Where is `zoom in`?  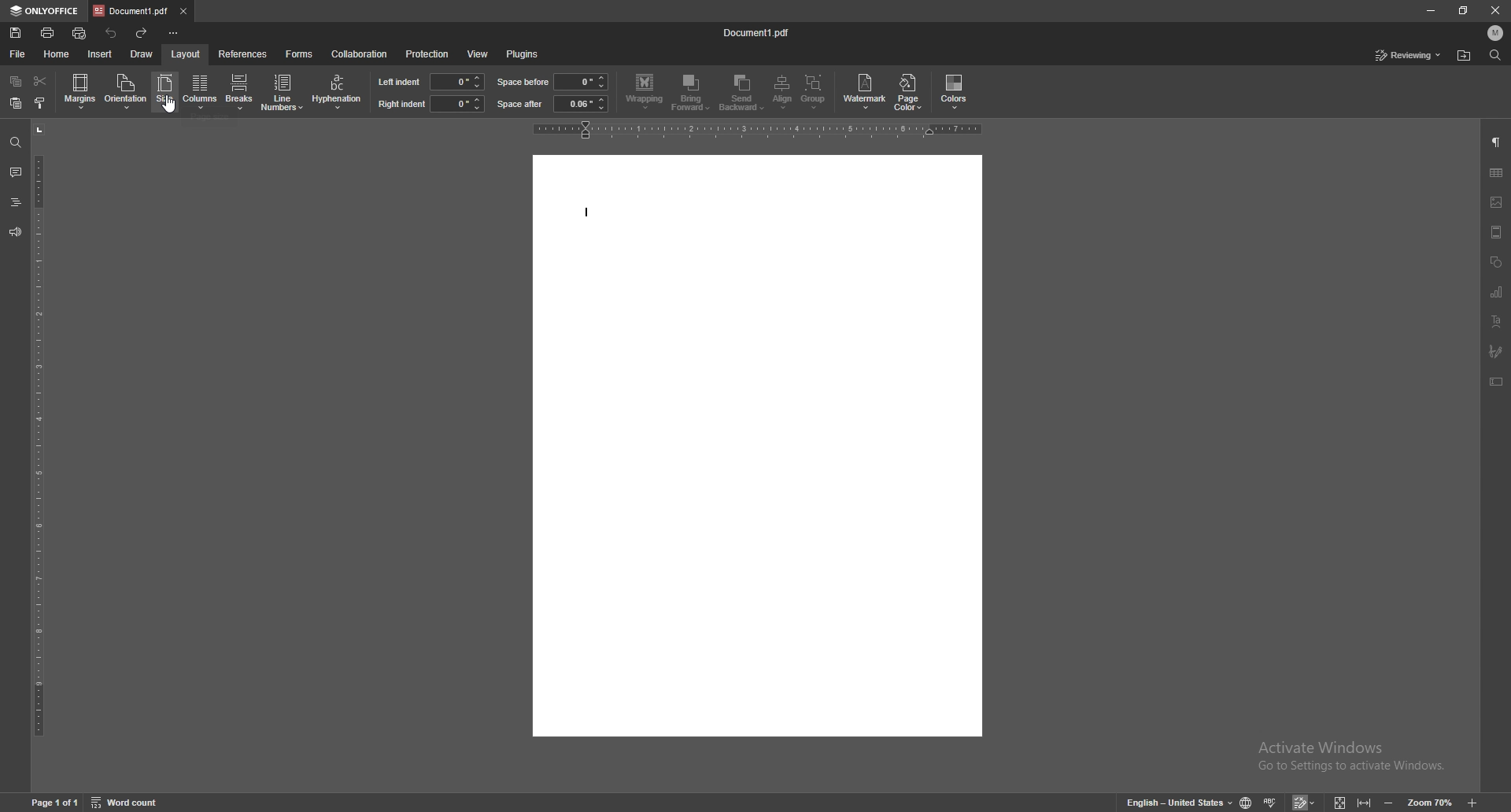 zoom in is located at coordinates (1475, 801).